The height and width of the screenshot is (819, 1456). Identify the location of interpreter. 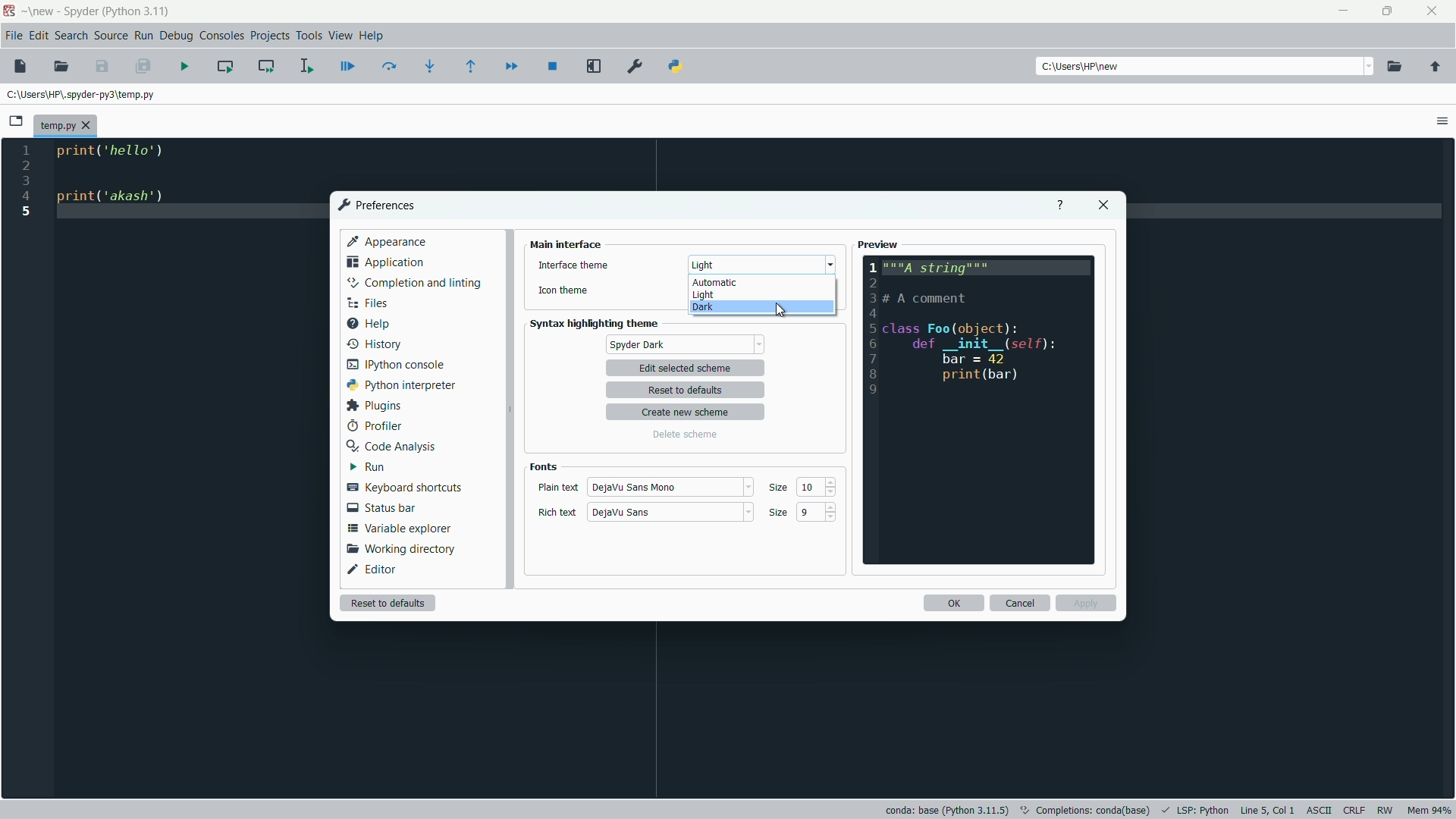
(946, 810).